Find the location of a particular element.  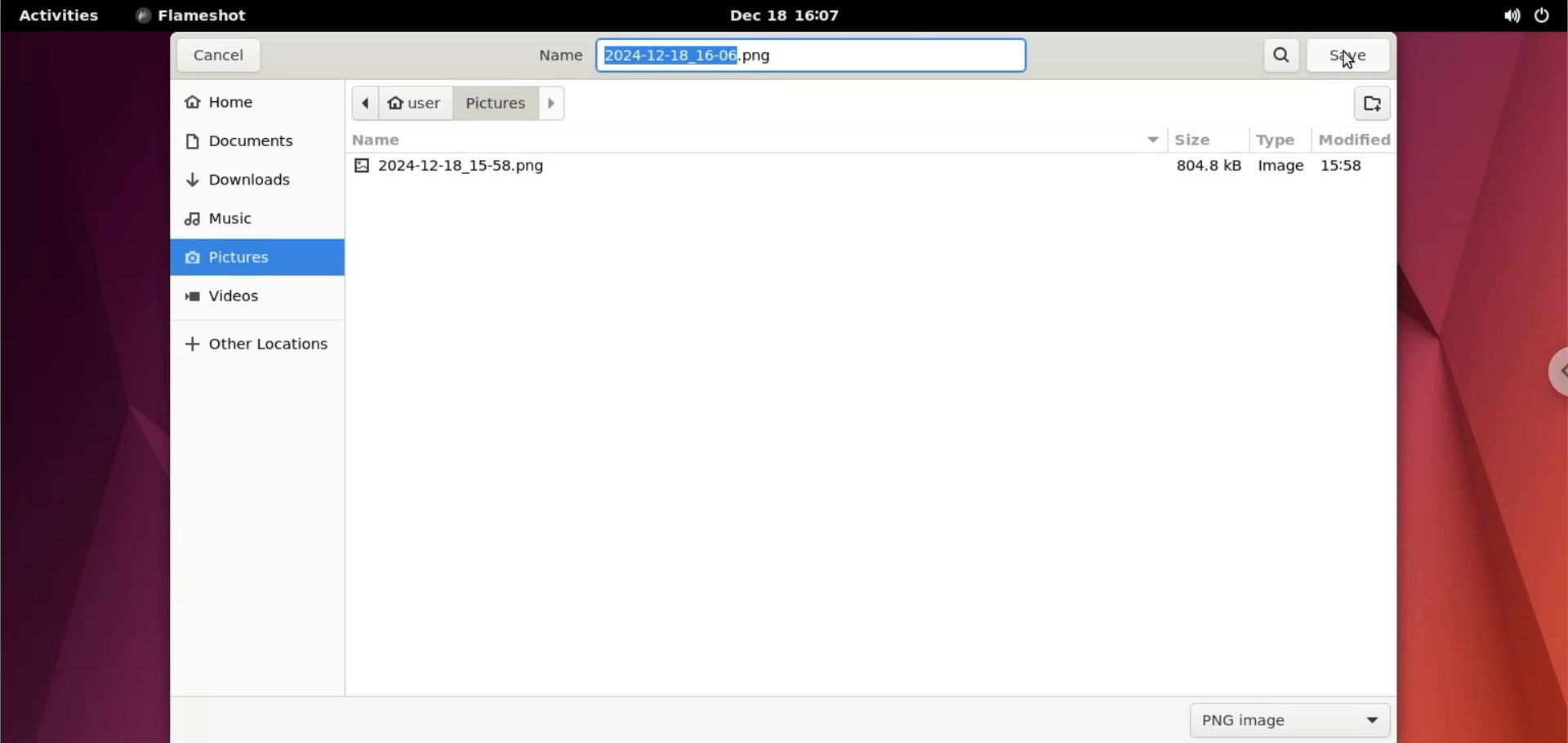

name label is located at coordinates (385, 141).